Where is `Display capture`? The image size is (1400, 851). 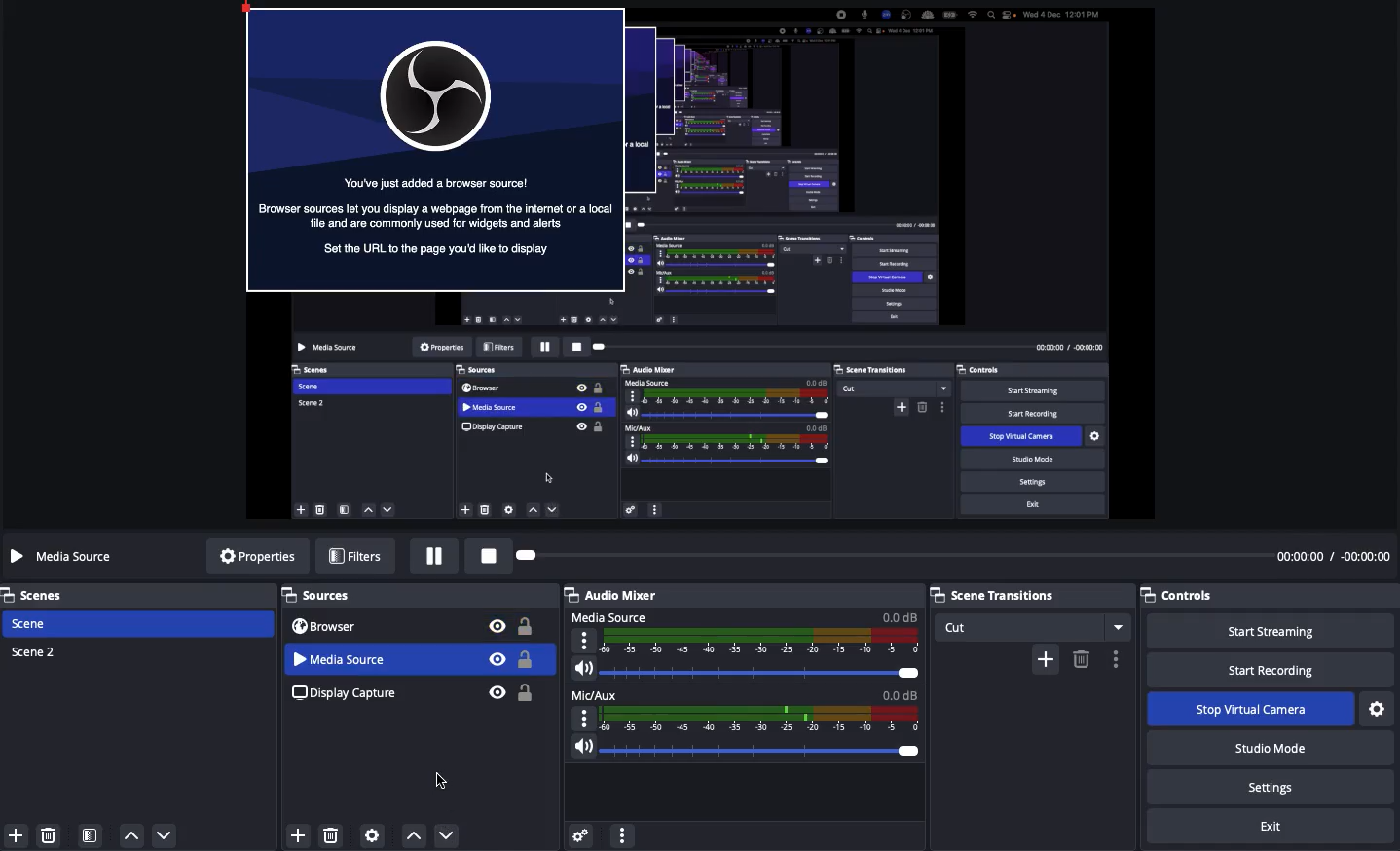 Display capture is located at coordinates (348, 693).